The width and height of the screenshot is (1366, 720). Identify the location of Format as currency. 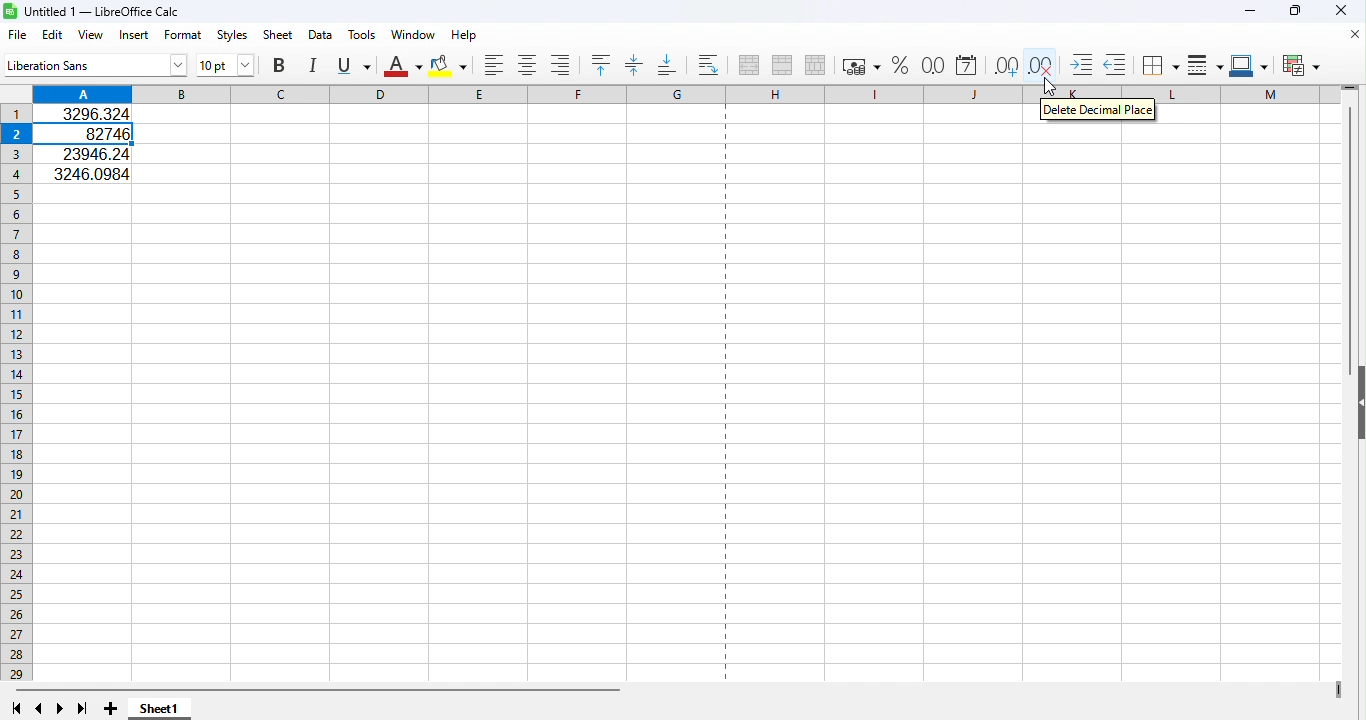
(860, 67).